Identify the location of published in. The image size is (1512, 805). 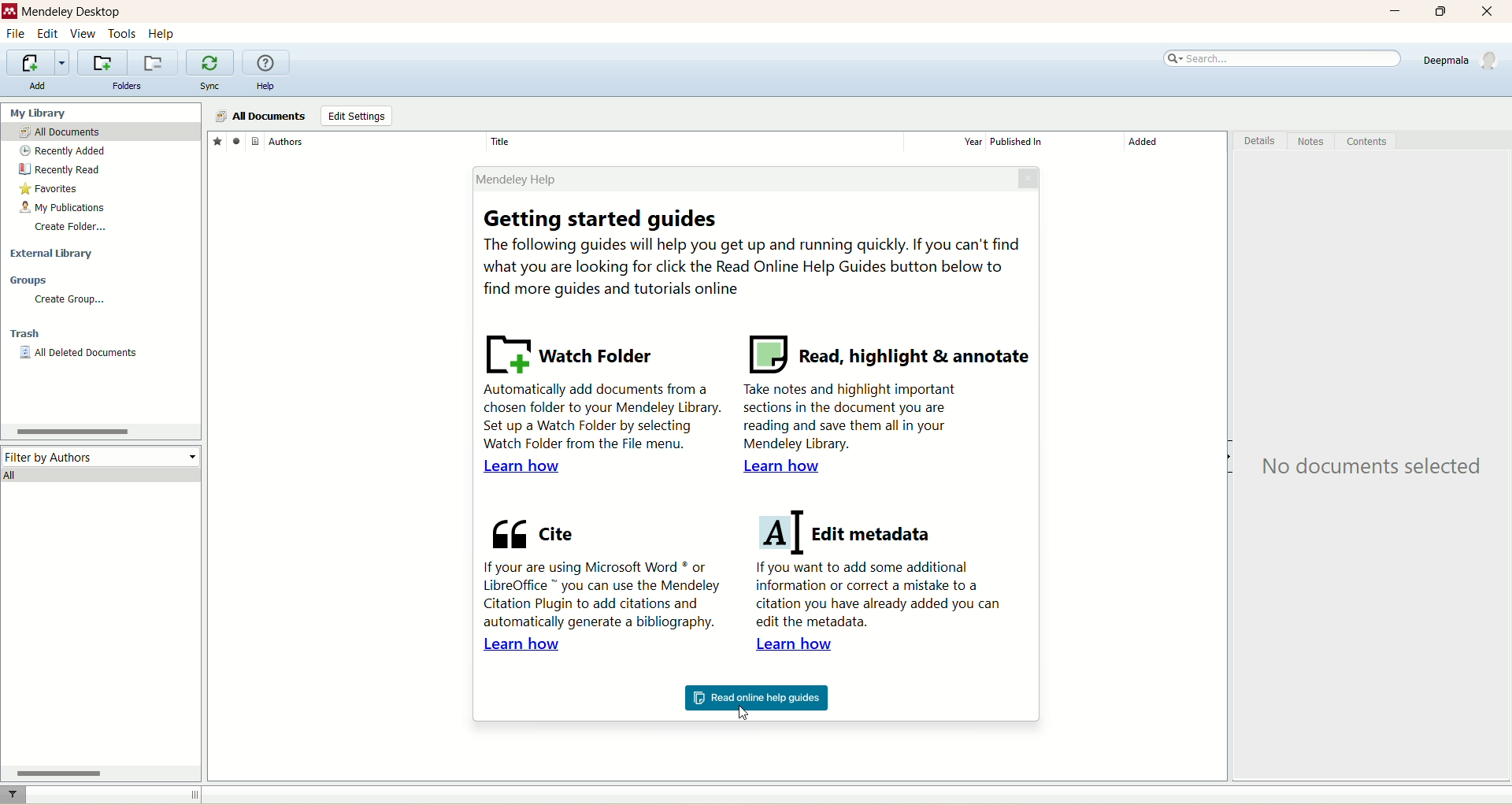
(1054, 141).